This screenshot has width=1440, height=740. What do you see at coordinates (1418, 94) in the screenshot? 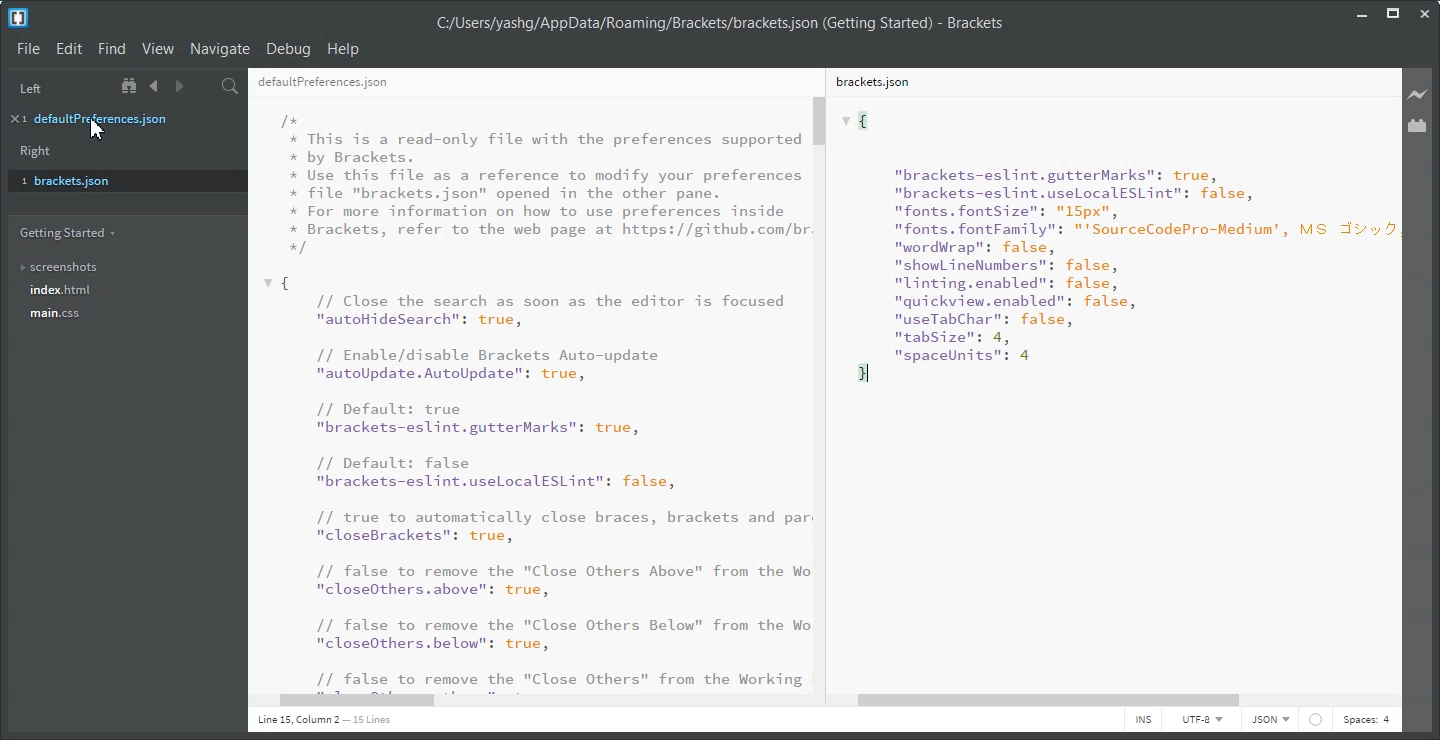
I see `Live Preview` at bounding box center [1418, 94].